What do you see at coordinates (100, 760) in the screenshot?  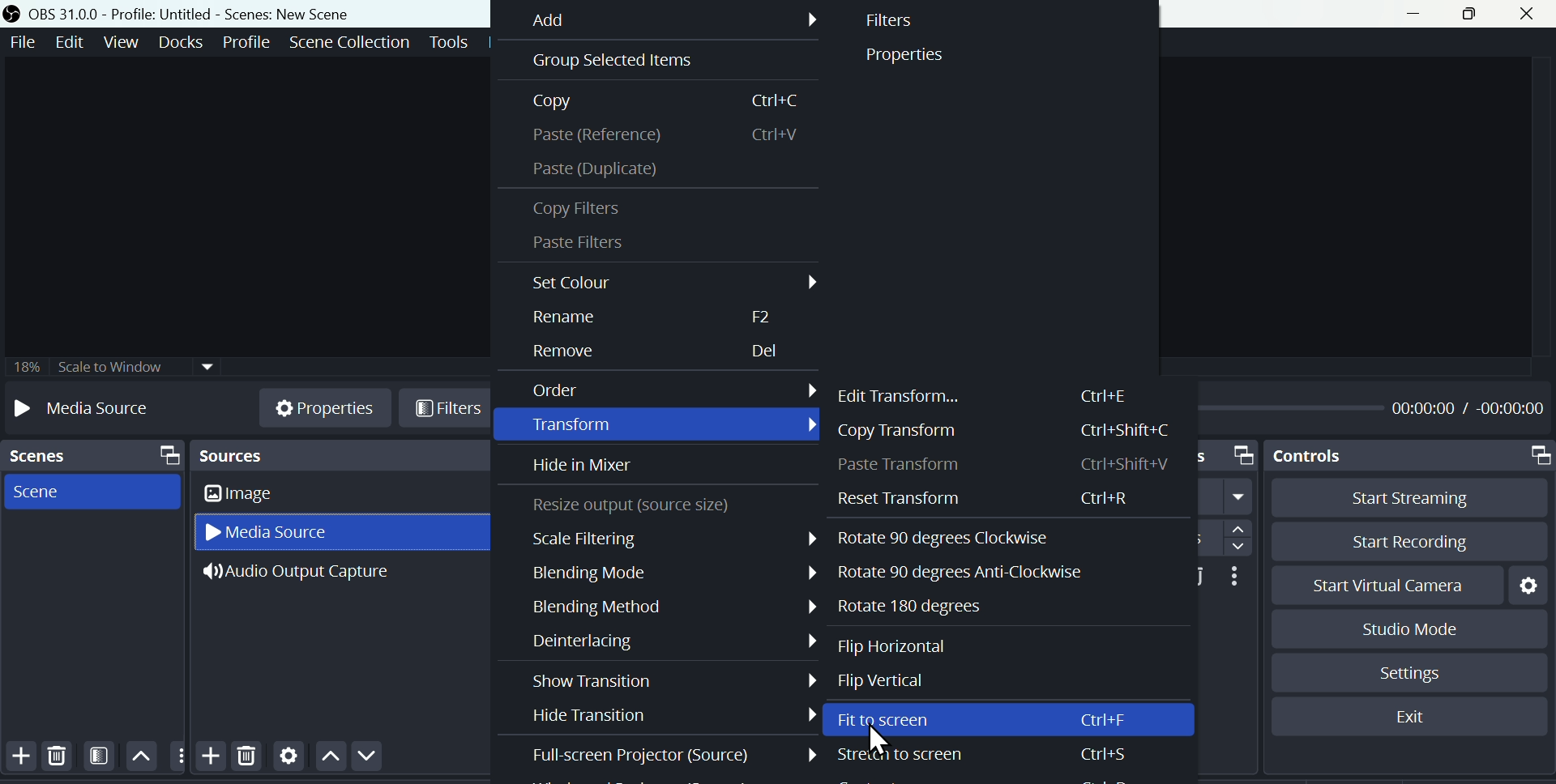 I see `Filtering` at bounding box center [100, 760].